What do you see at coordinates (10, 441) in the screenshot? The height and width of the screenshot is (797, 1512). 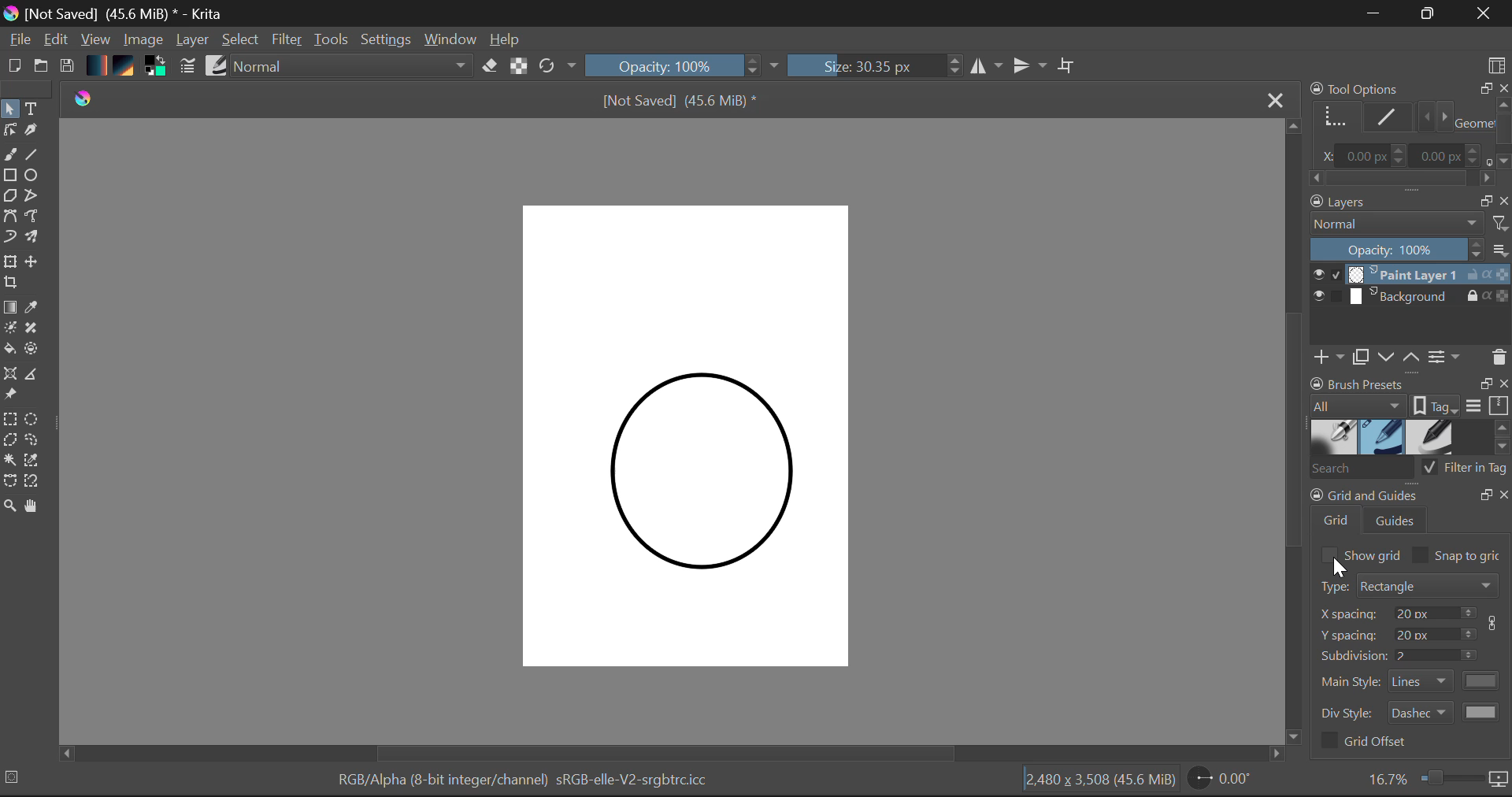 I see `Polygon Selection` at bounding box center [10, 441].